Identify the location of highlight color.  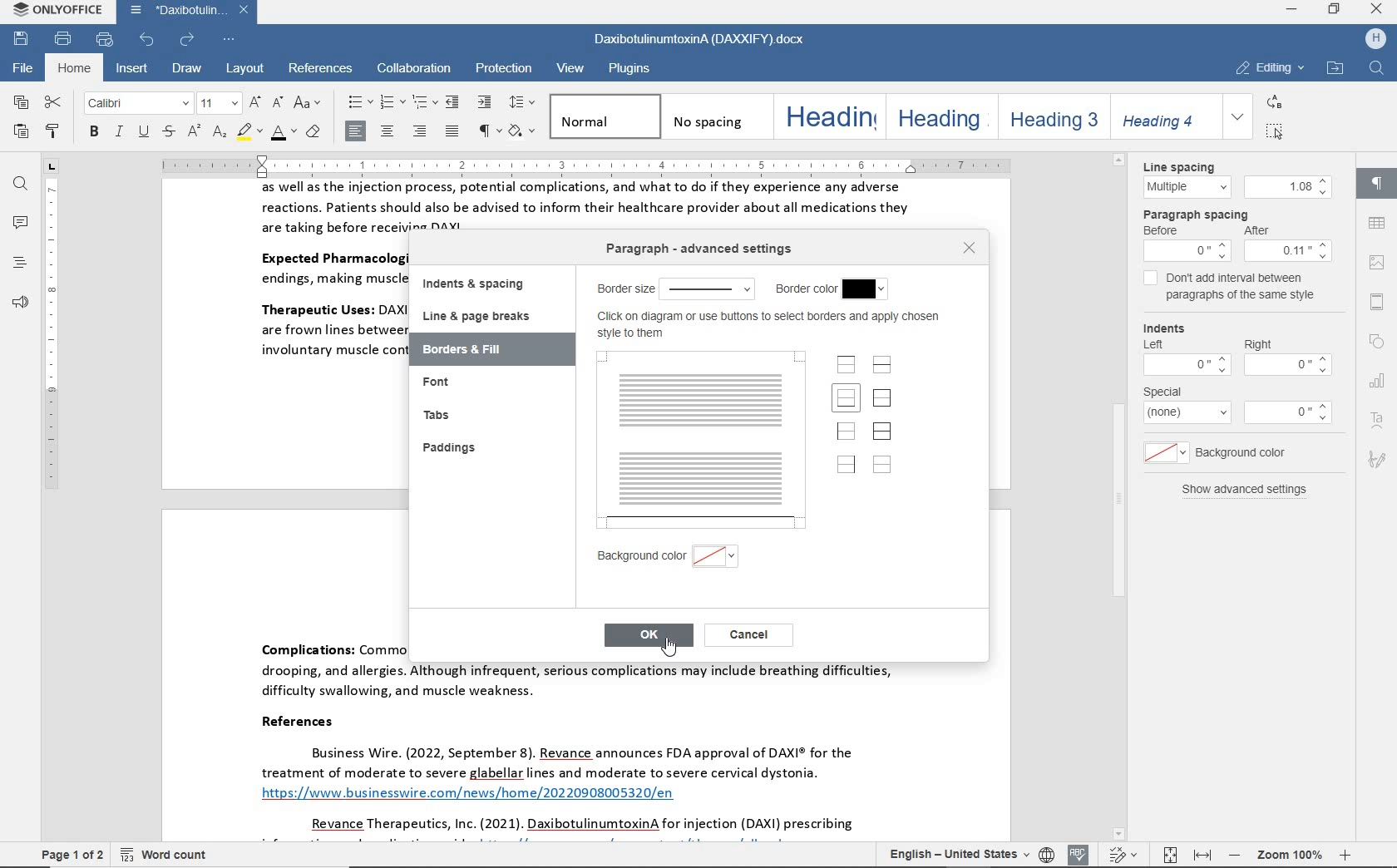
(250, 133).